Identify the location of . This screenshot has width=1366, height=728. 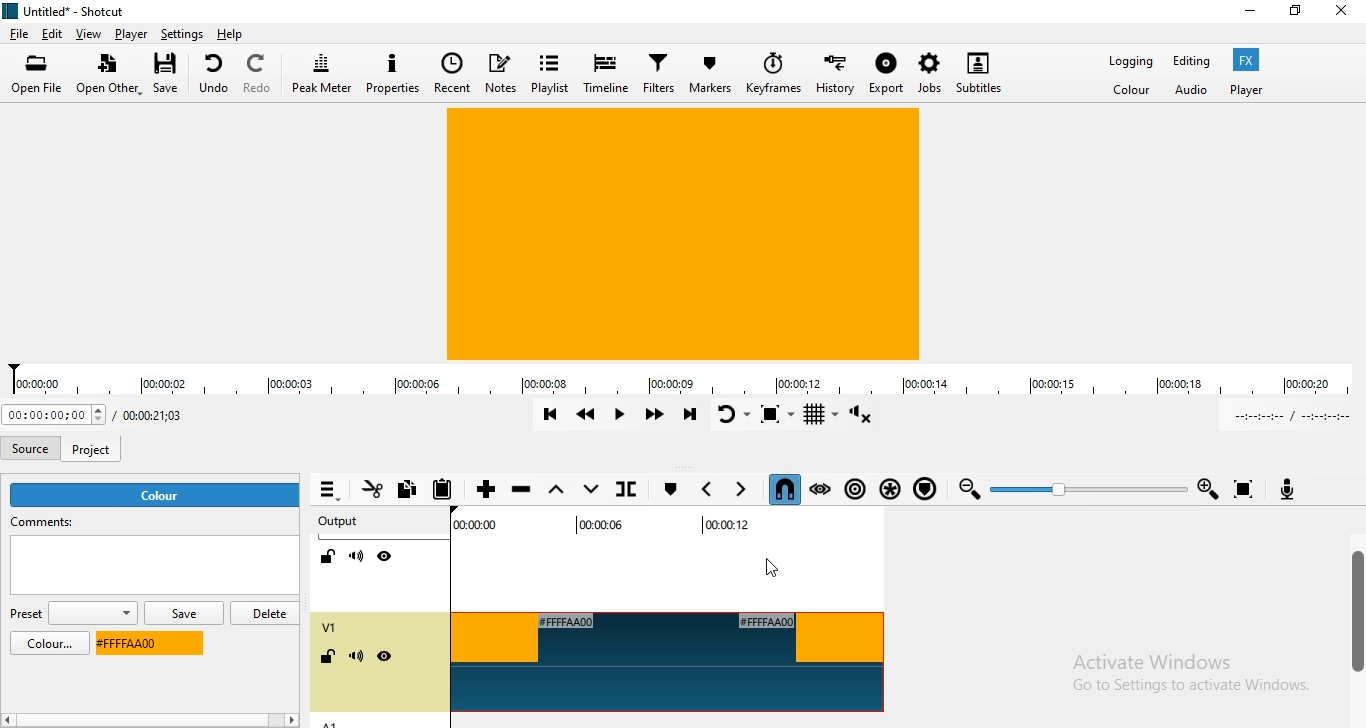
(687, 235).